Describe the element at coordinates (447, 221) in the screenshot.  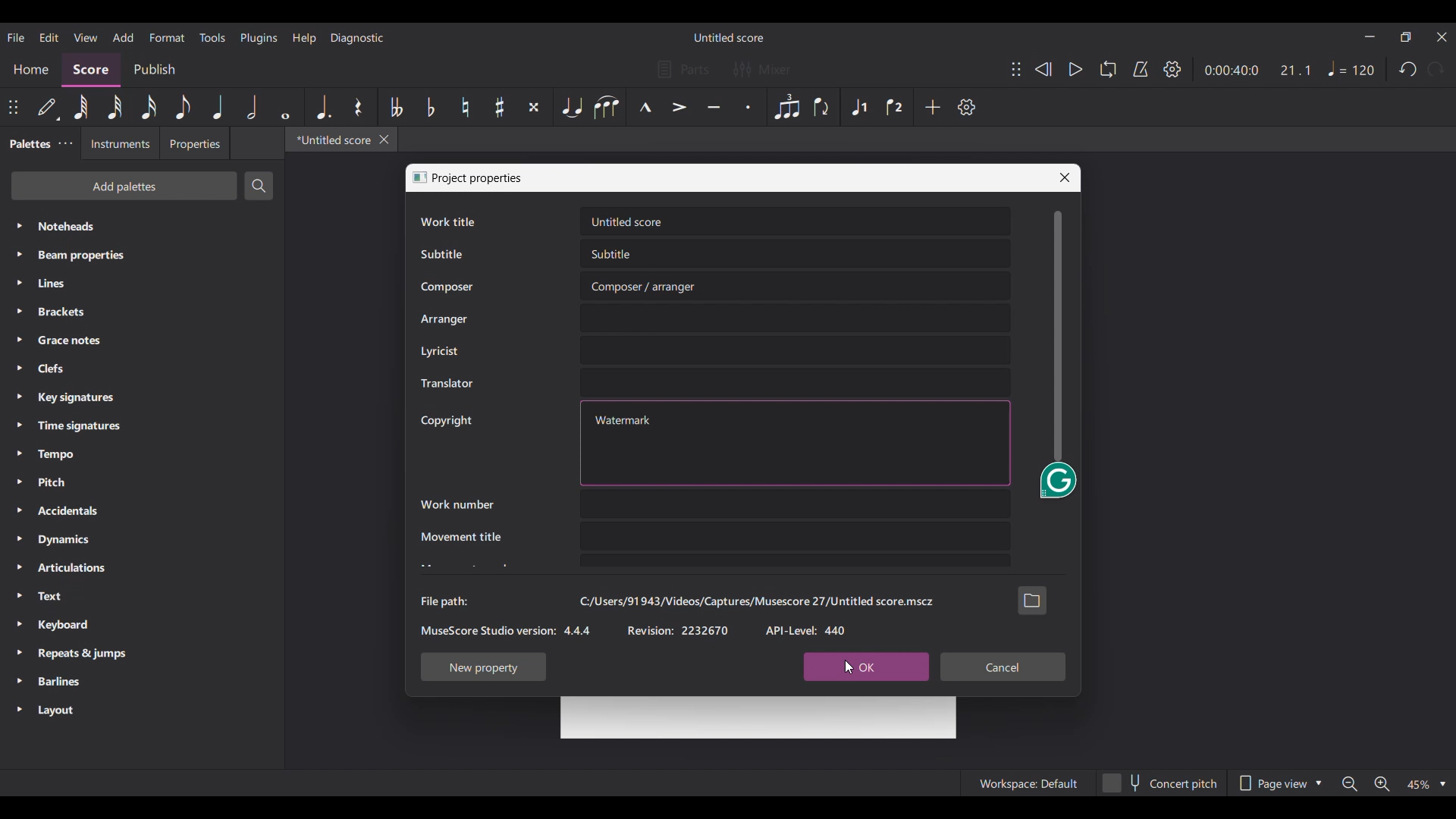
I see `Work title` at that location.